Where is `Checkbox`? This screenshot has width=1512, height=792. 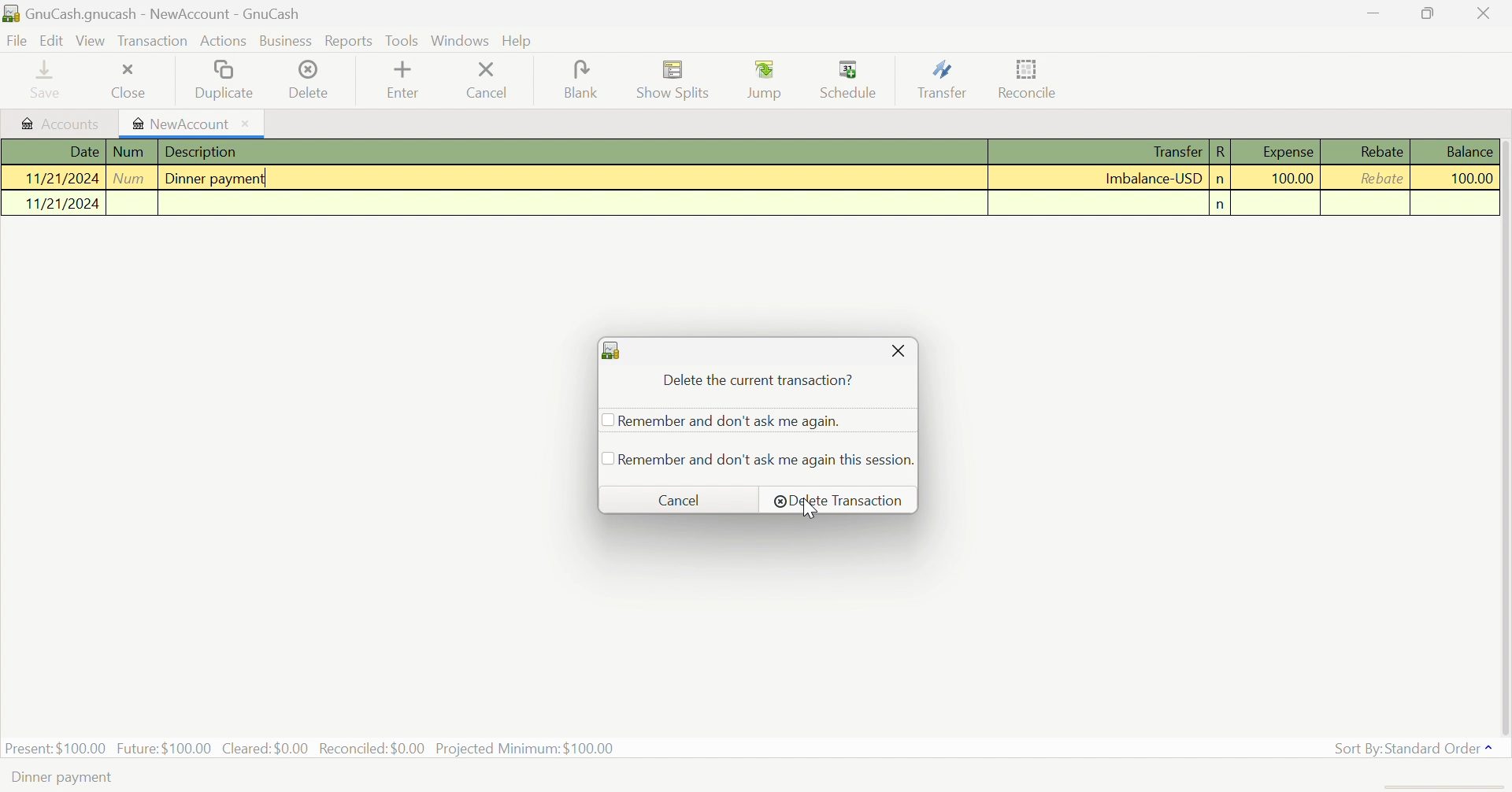
Checkbox is located at coordinates (602, 459).